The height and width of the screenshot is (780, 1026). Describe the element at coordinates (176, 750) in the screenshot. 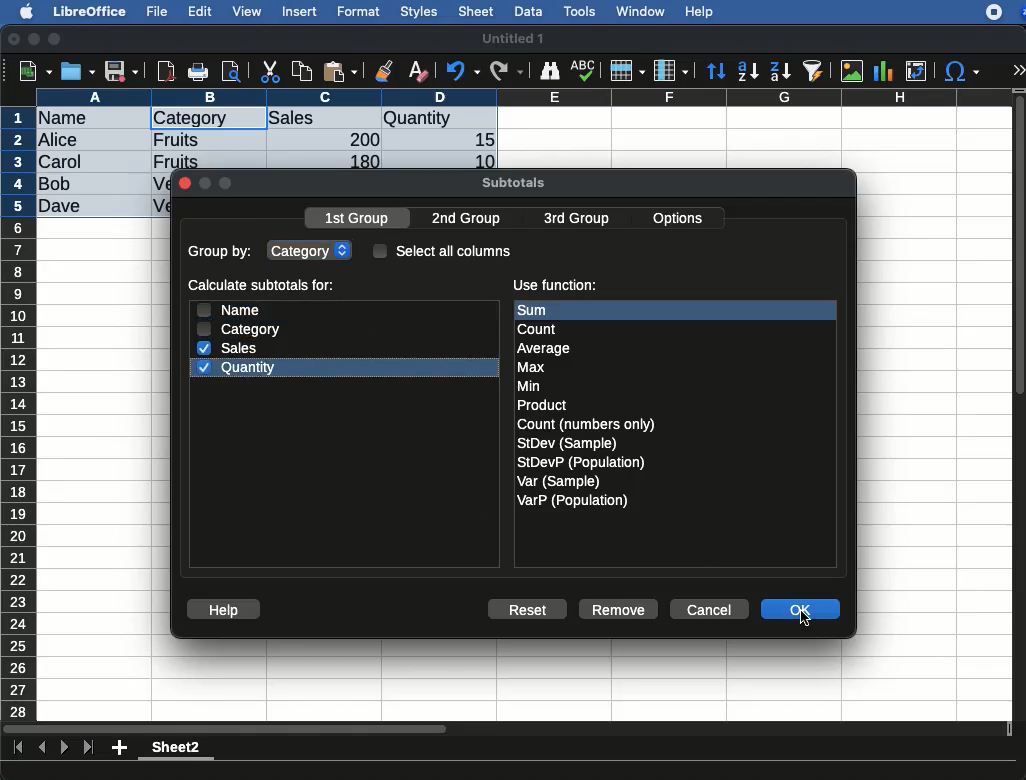

I see `sheet 2` at that location.